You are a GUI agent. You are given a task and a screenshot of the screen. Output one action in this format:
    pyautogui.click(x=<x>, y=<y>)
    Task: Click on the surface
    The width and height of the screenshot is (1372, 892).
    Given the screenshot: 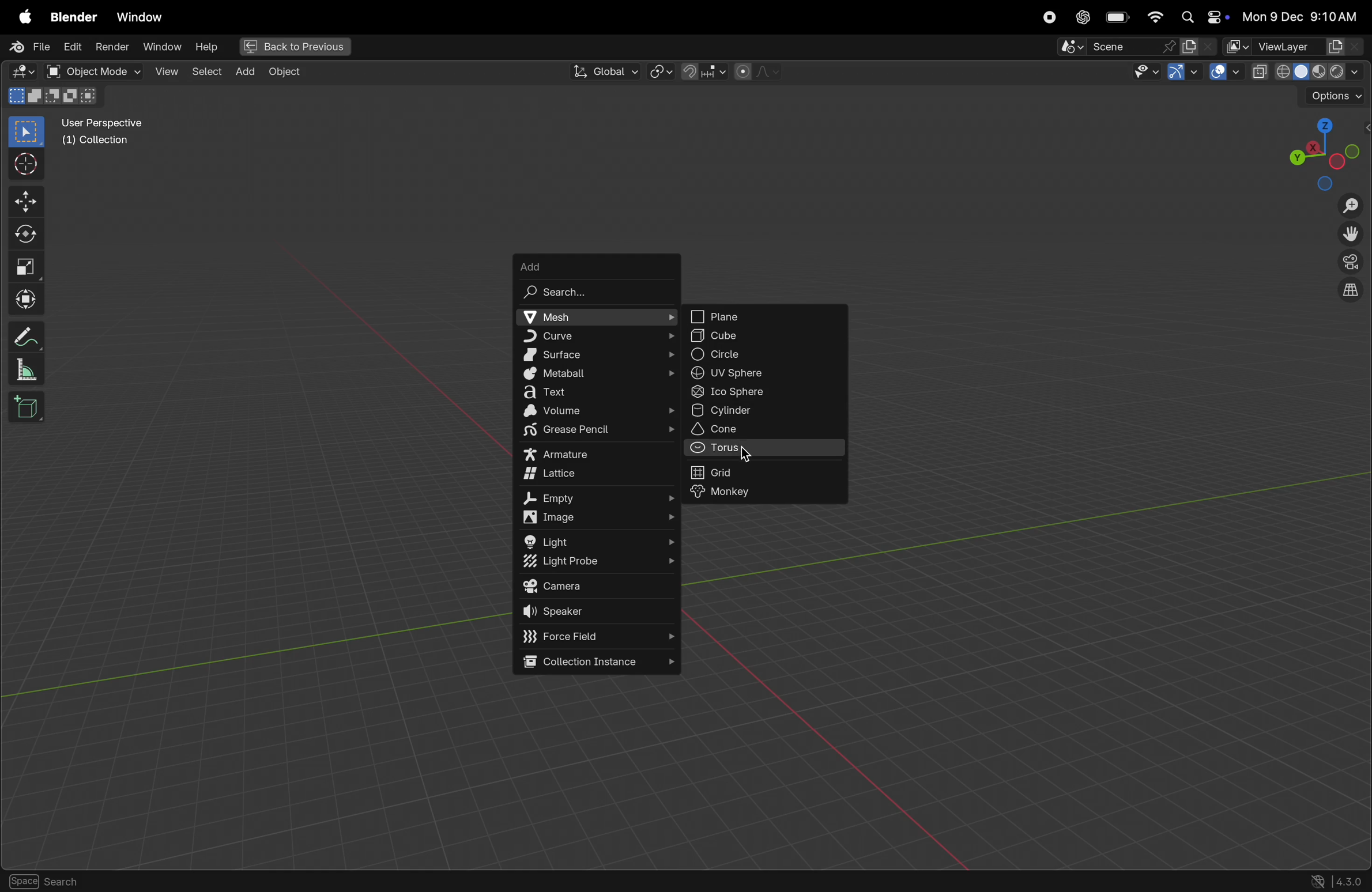 What is the action you would take?
    pyautogui.click(x=597, y=354)
    